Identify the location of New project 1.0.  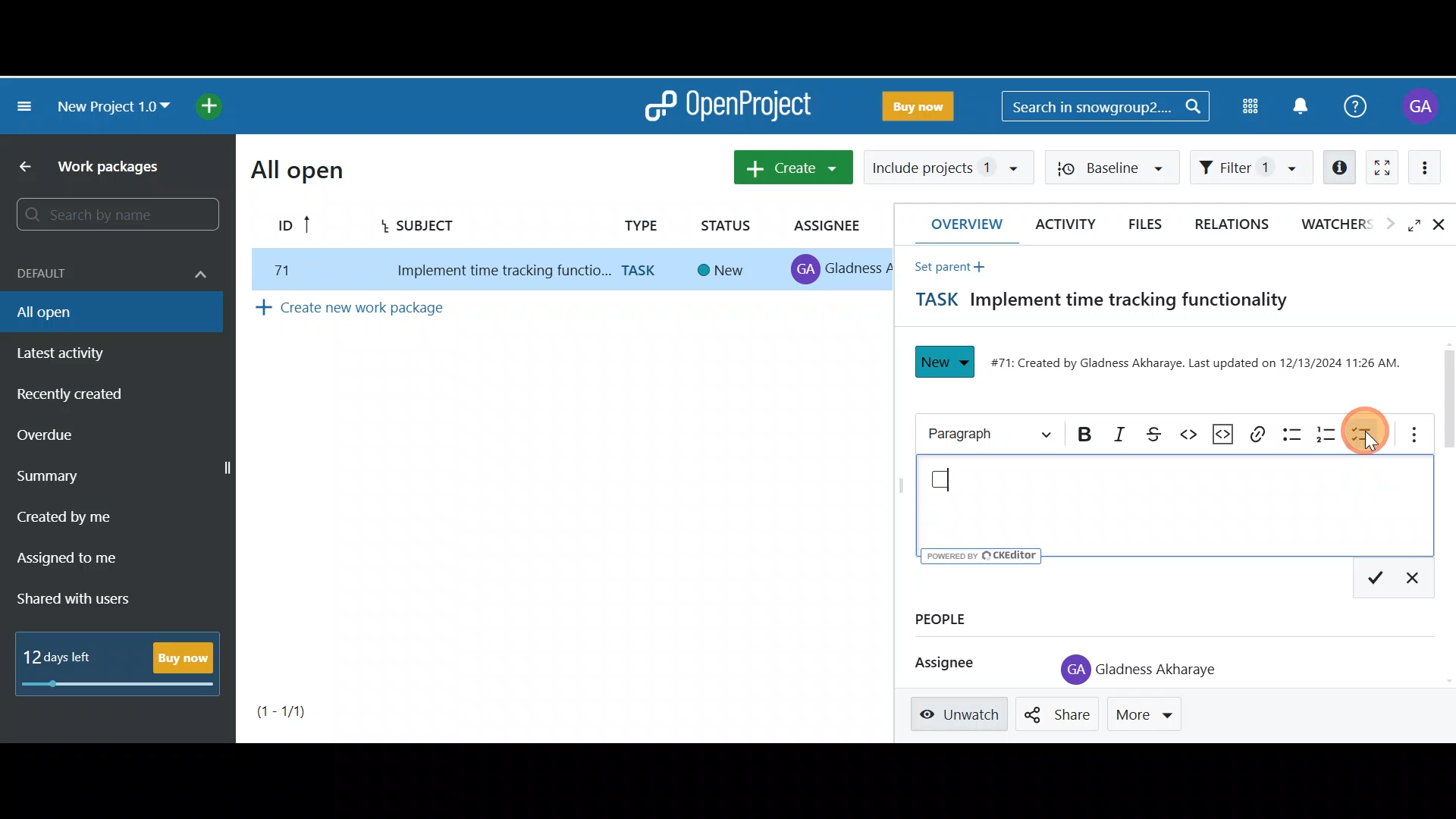
(108, 104).